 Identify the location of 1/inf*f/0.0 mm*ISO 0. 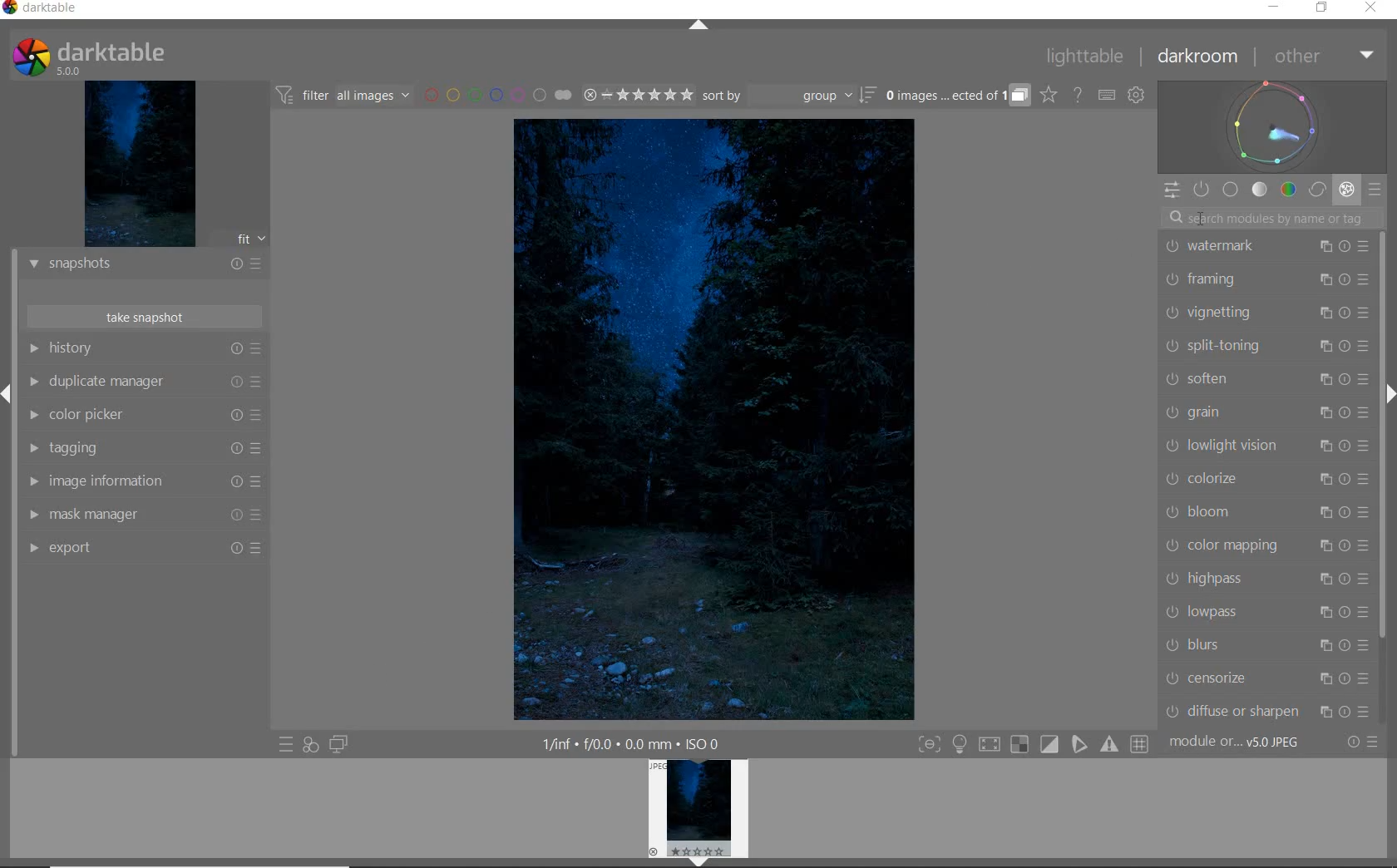
(627, 742).